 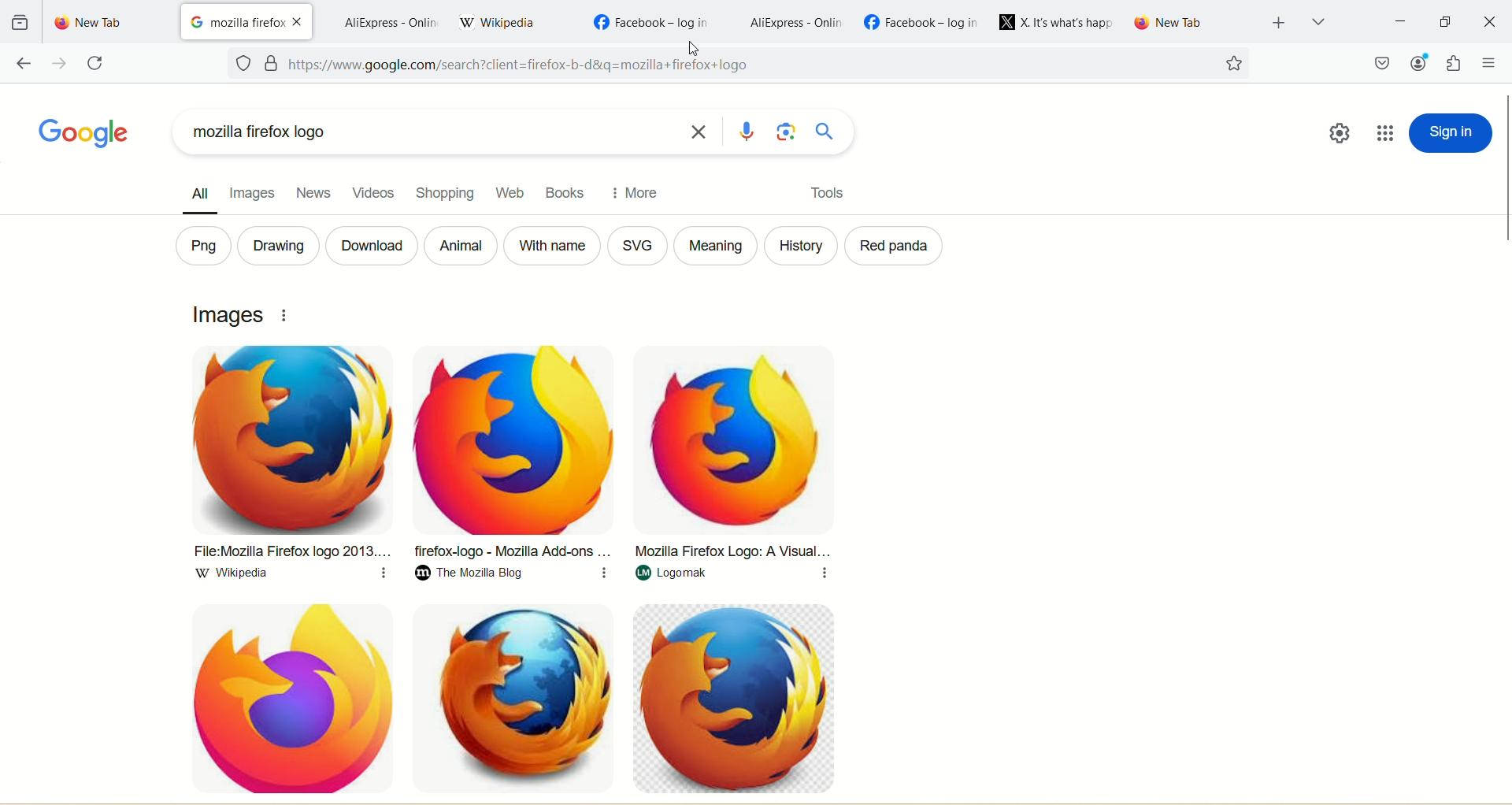 What do you see at coordinates (636, 191) in the screenshot?
I see `more` at bounding box center [636, 191].